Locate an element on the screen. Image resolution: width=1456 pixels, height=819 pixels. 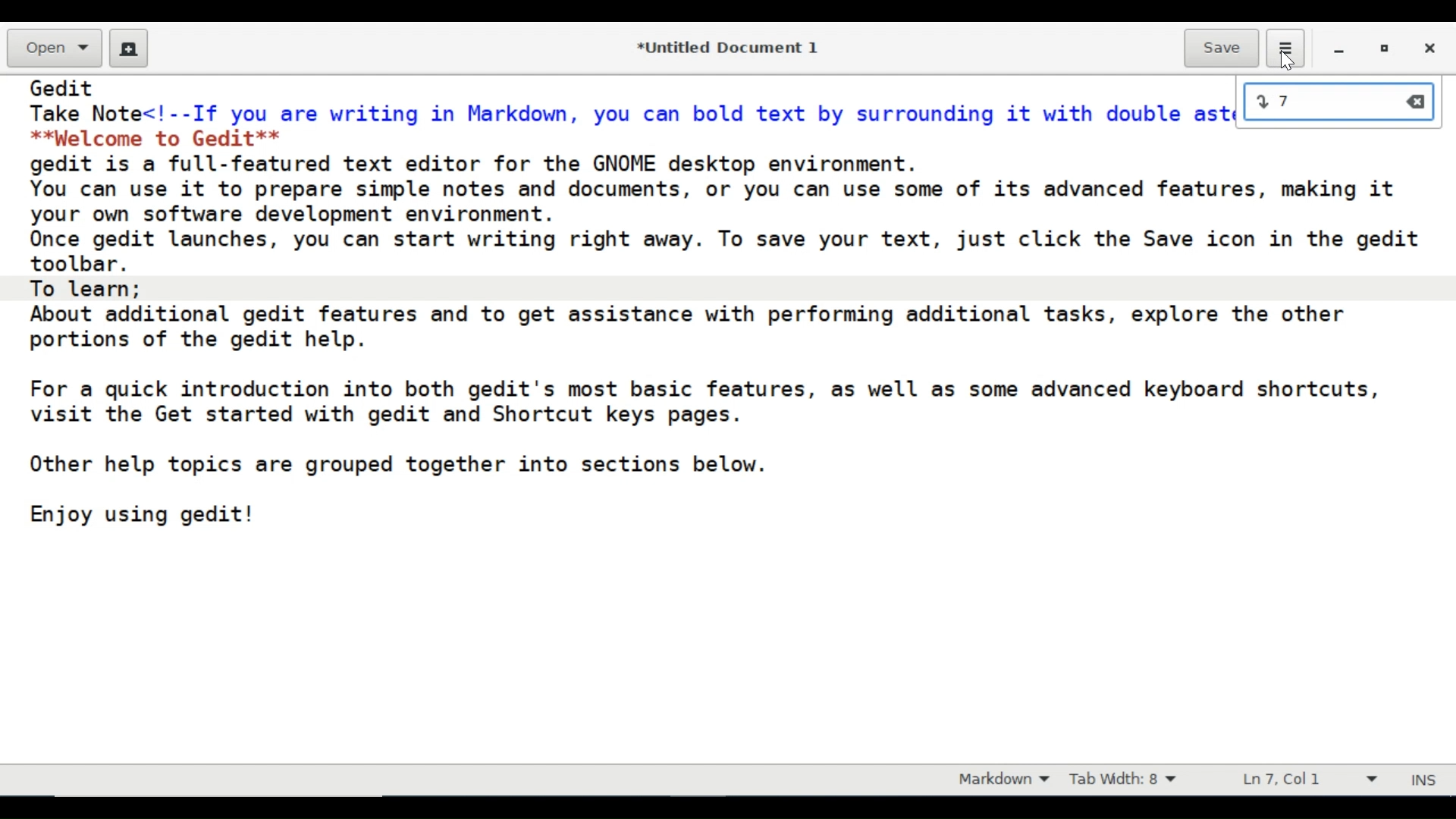
Enjoy using gedit! is located at coordinates (143, 513).